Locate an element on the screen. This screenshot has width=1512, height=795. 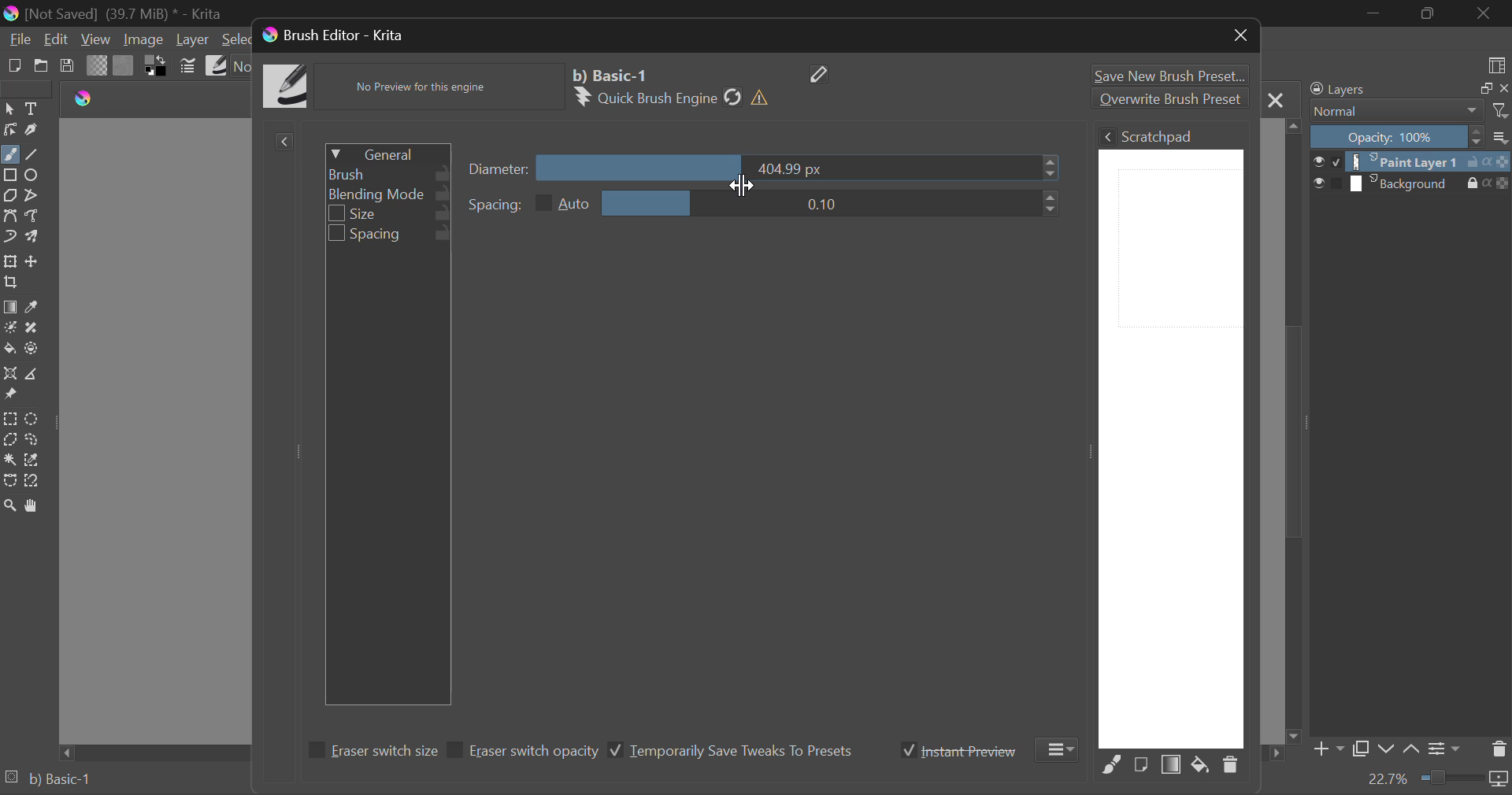
Transform a layer is located at coordinates (9, 261).